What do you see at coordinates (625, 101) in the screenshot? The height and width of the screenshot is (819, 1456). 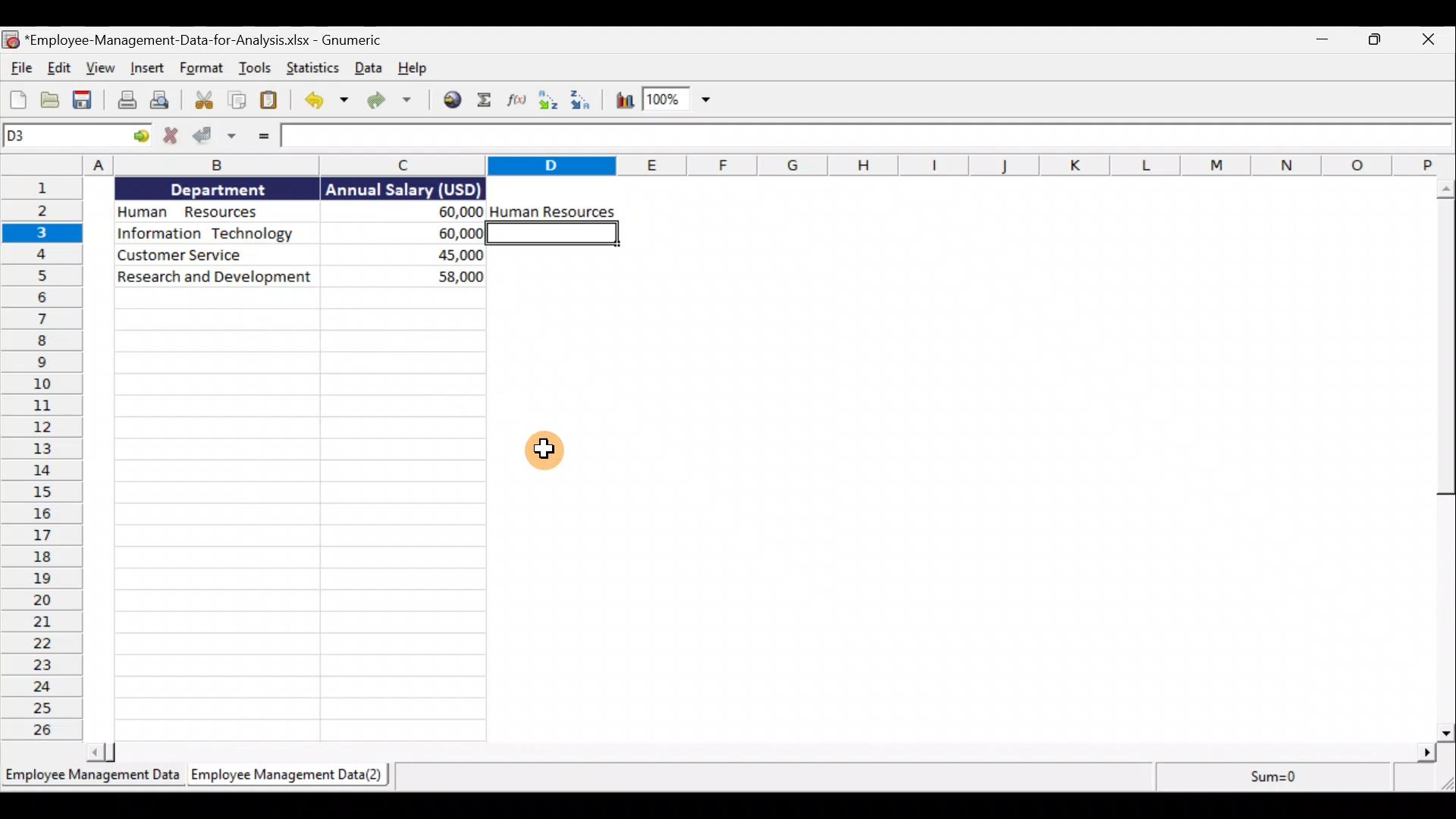 I see `Insert a chart` at bounding box center [625, 101].